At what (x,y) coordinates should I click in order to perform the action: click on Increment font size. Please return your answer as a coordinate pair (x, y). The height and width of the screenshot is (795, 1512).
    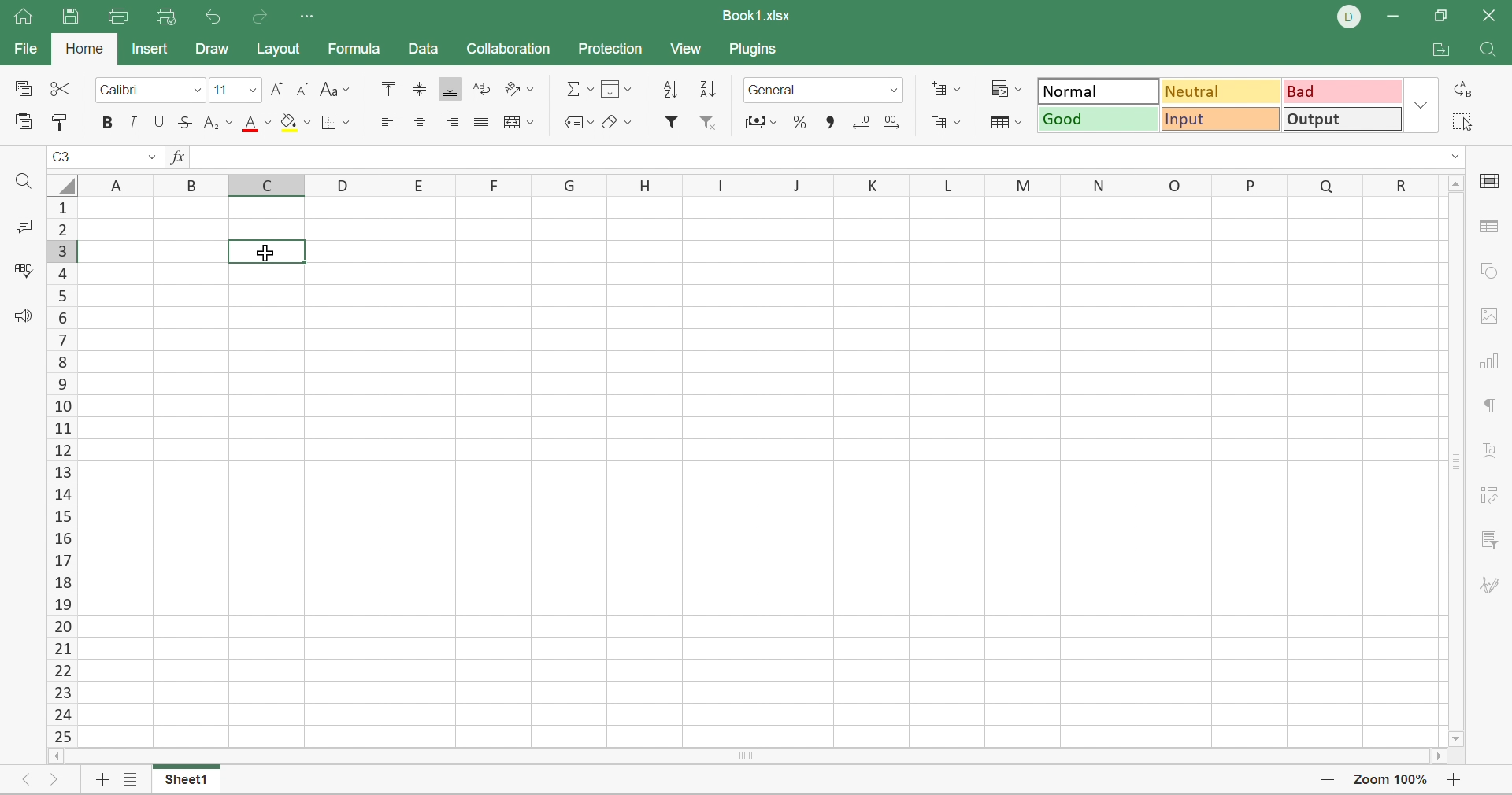
    Looking at the image, I should click on (278, 89).